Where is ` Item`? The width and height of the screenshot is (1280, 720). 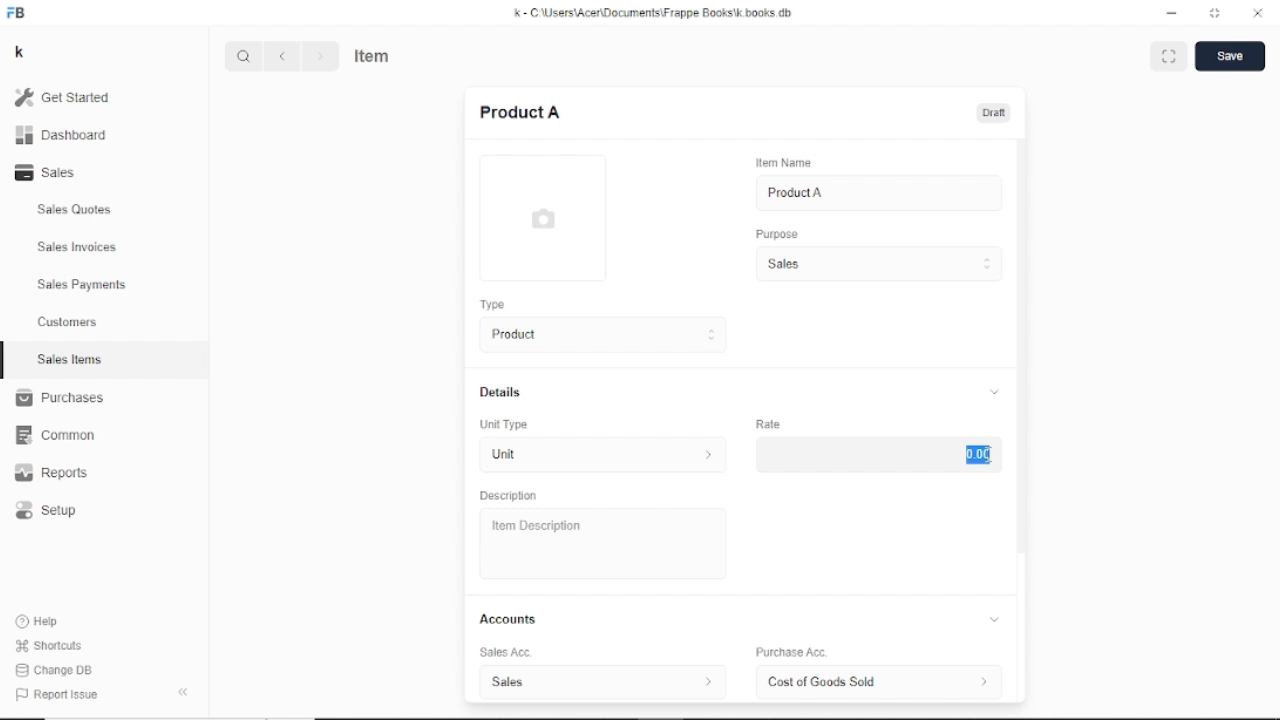
 Item is located at coordinates (373, 54).